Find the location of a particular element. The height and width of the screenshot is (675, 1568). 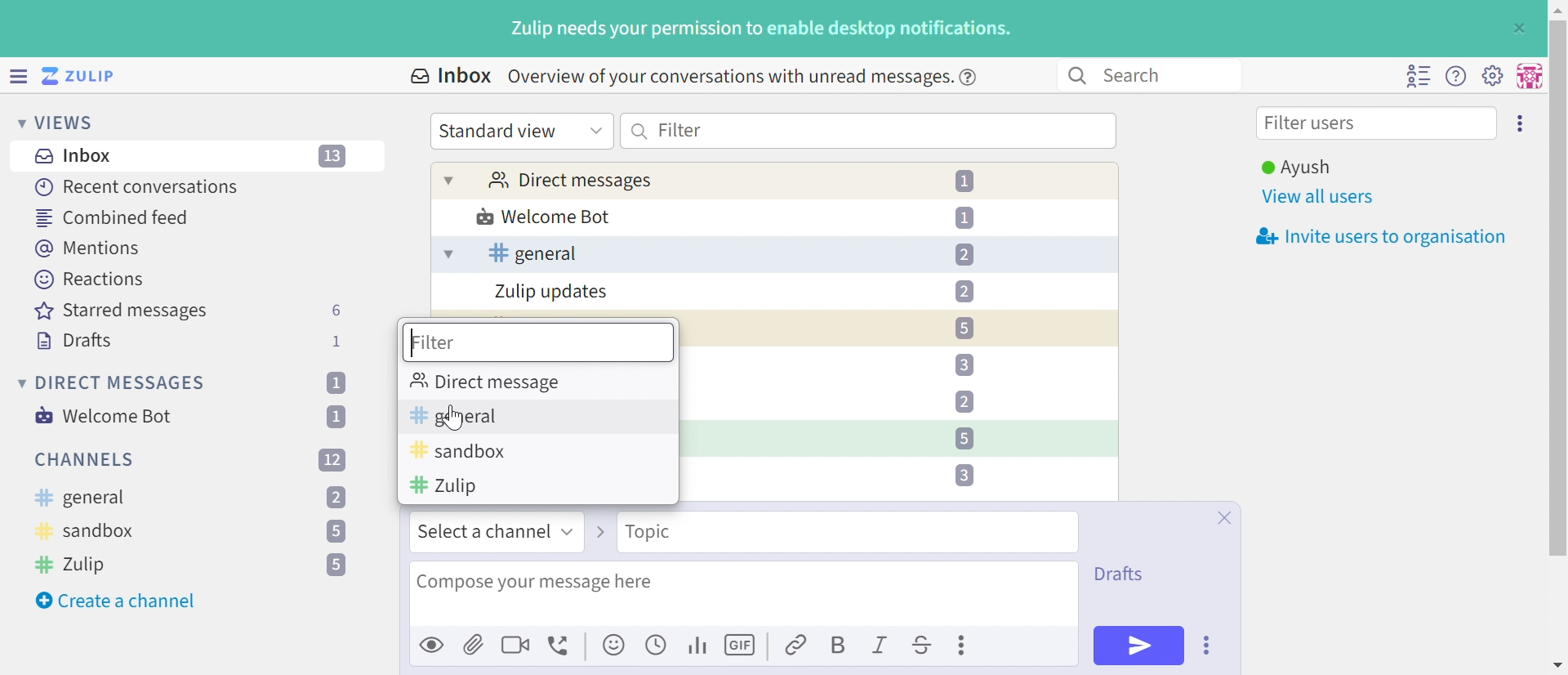

13 is located at coordinates (334, 157).